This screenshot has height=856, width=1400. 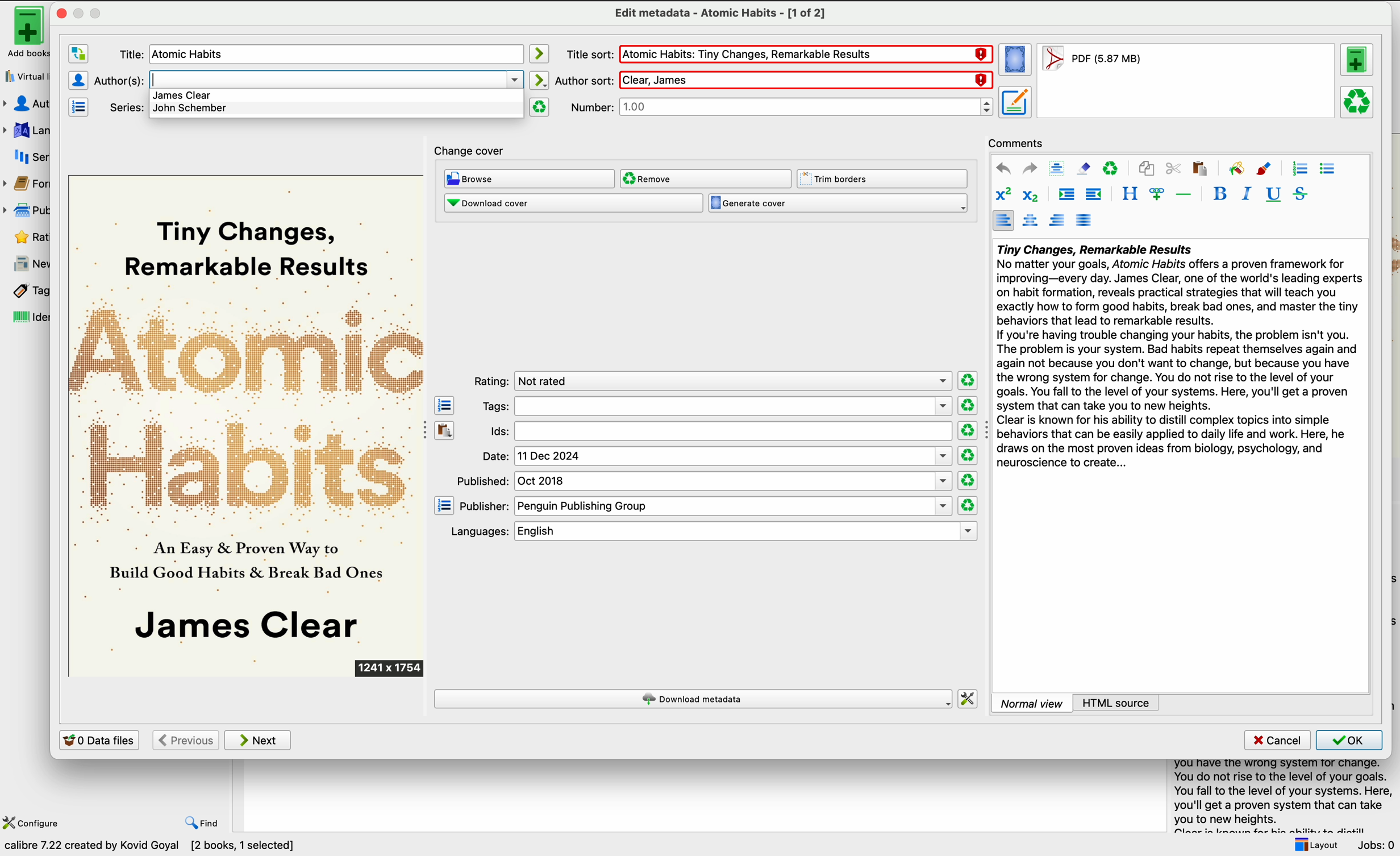 I want to click on align center, so click(x=1030, y=221).